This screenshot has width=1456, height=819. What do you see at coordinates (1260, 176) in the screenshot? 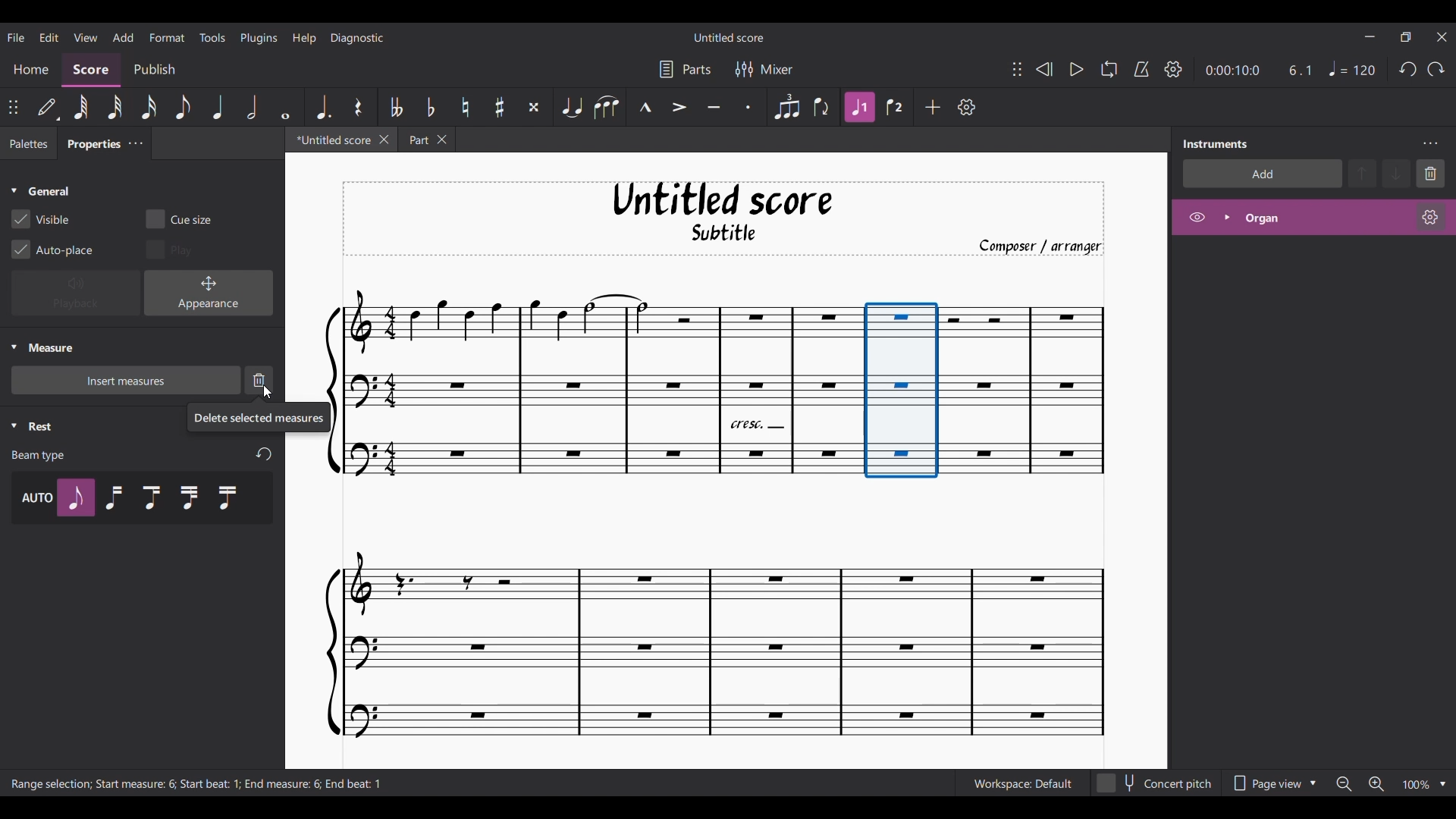
I see `Add instrument` at bounding box center [1260, 176].